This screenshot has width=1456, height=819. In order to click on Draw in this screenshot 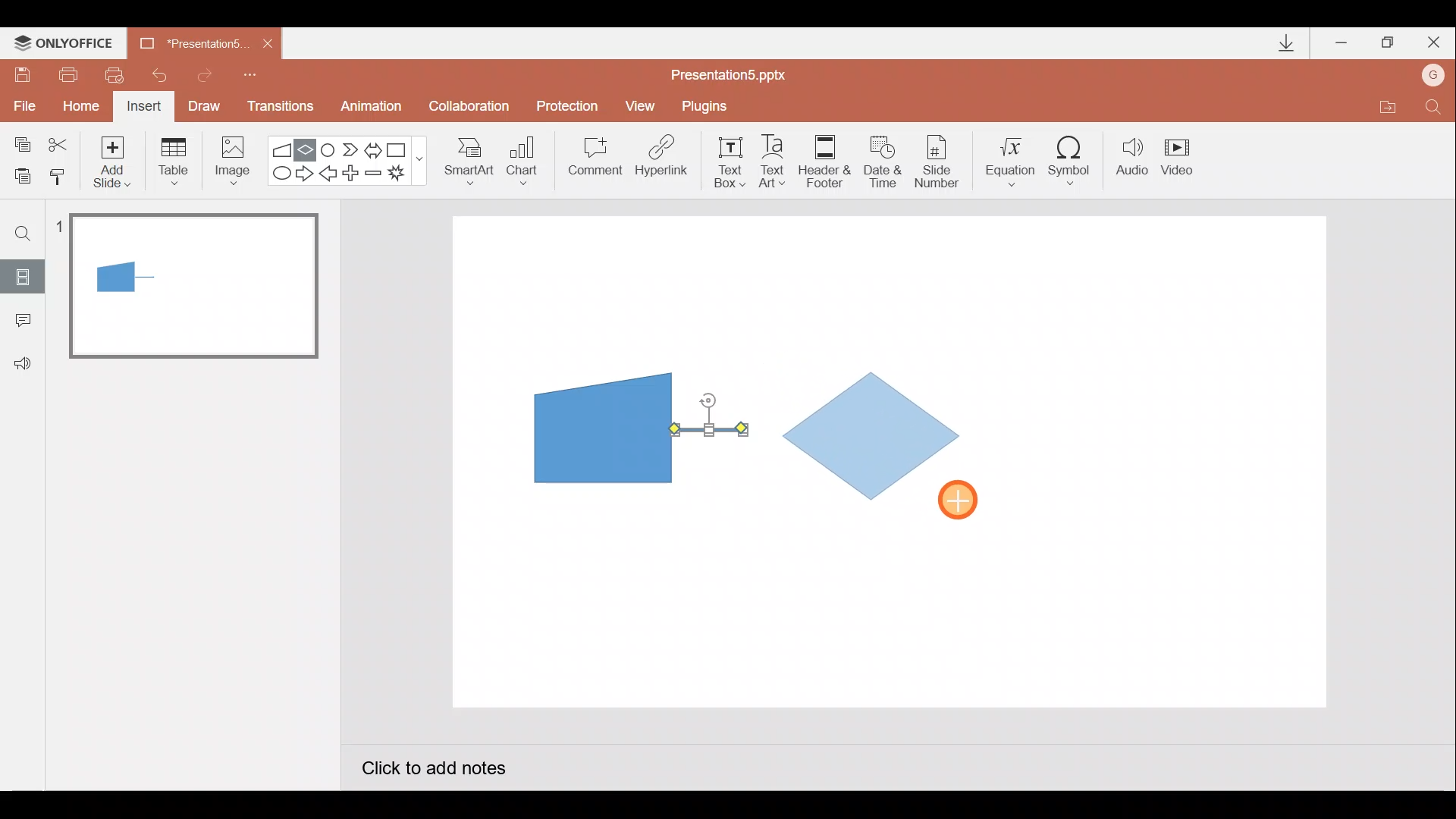, I will do `click(205, 105)`.